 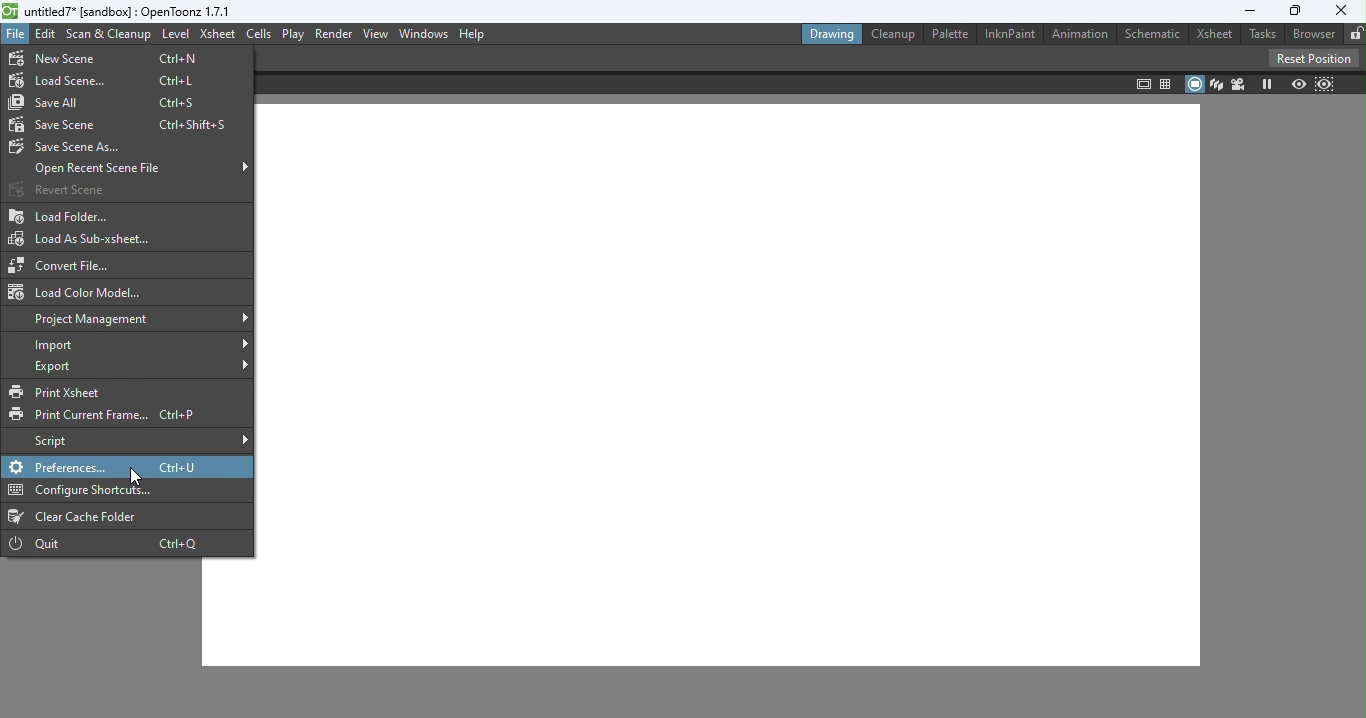 What do you see at coordinates (113, 57) in the screenshot?
I see `New scene` at bounding box center [113, 57].